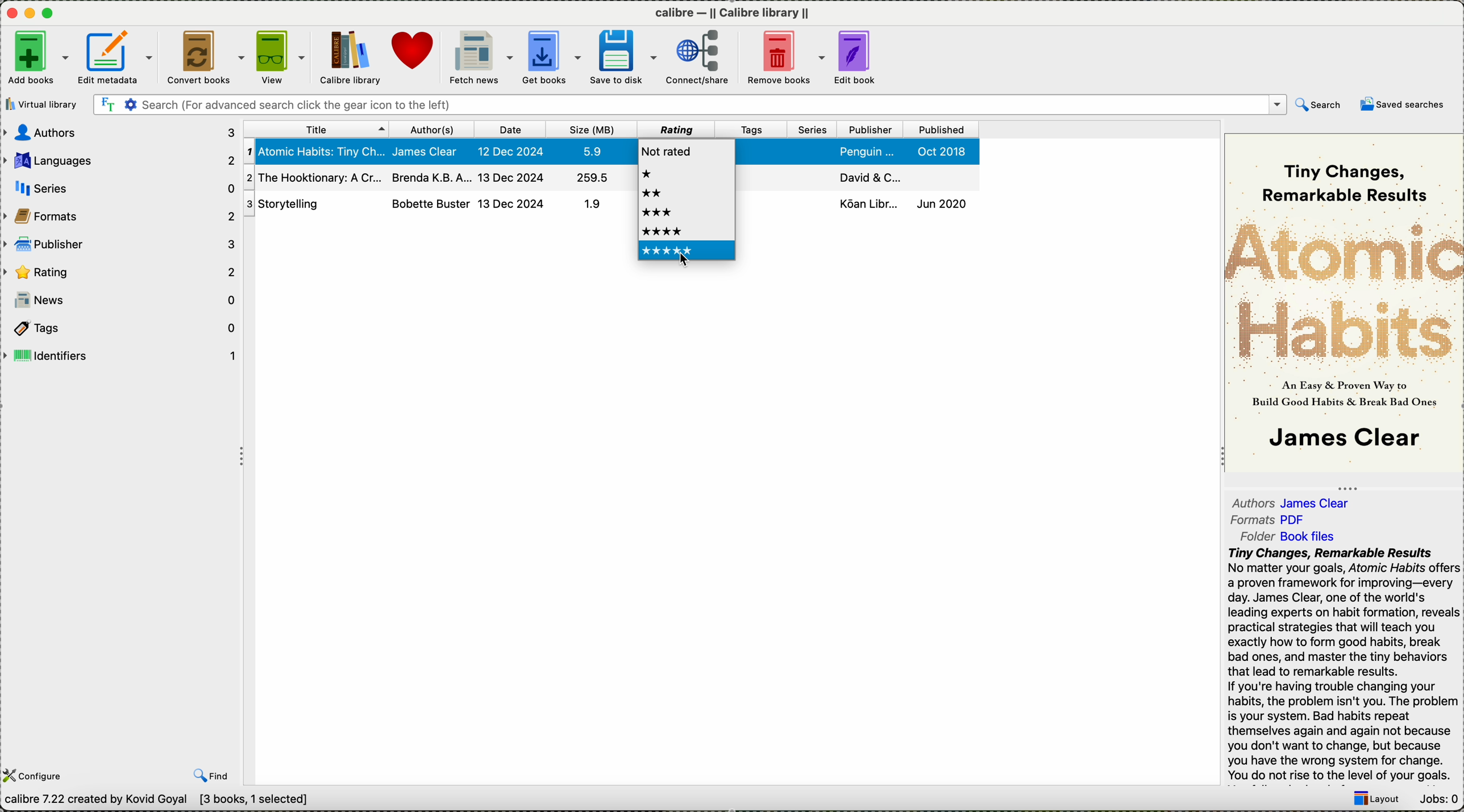  Describe the element at coordinates (771, 180) in the screenshot. I see `tags` at that location.